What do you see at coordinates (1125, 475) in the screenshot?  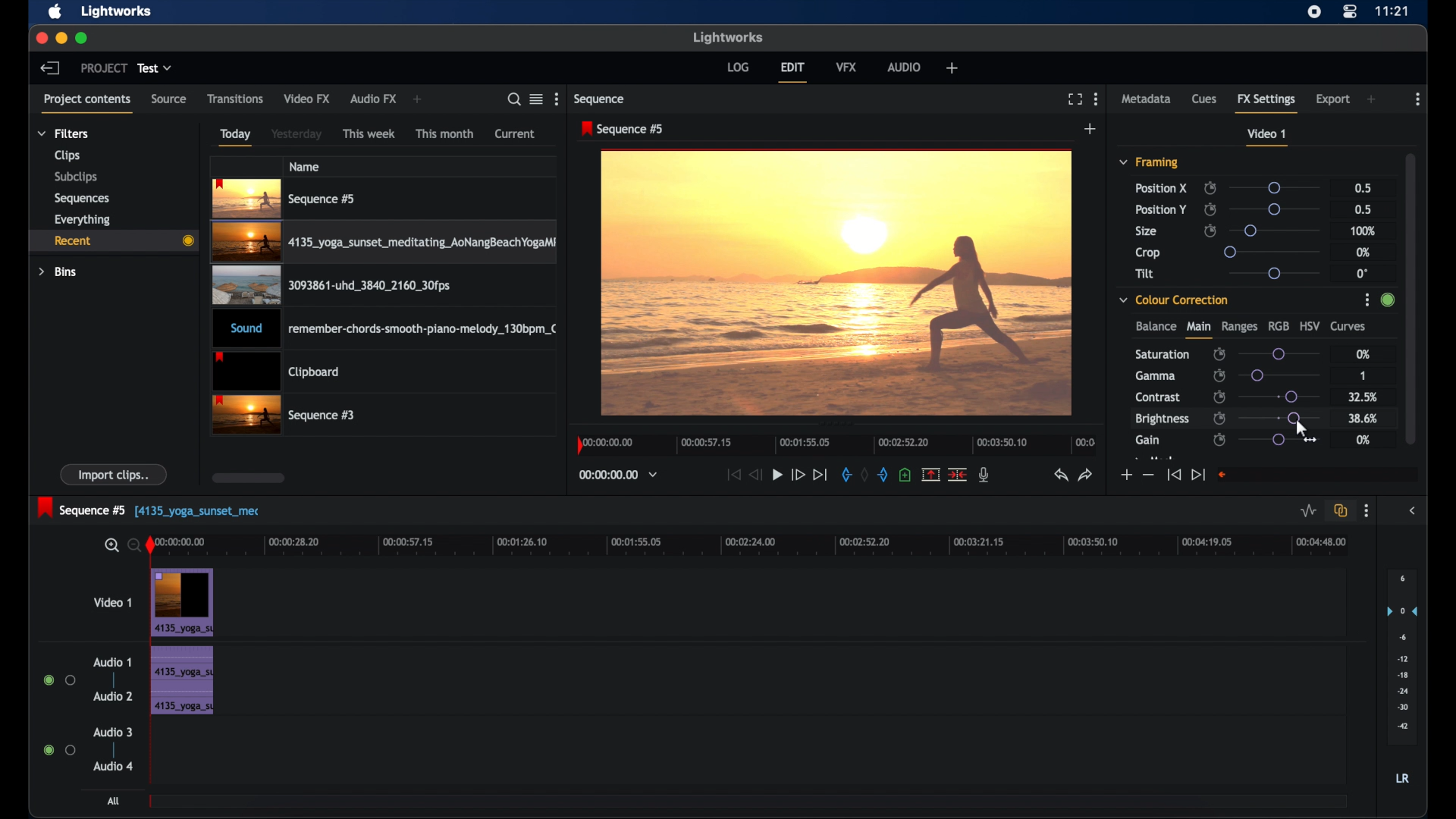 I see `increment` at bounding box center [1125, 475].